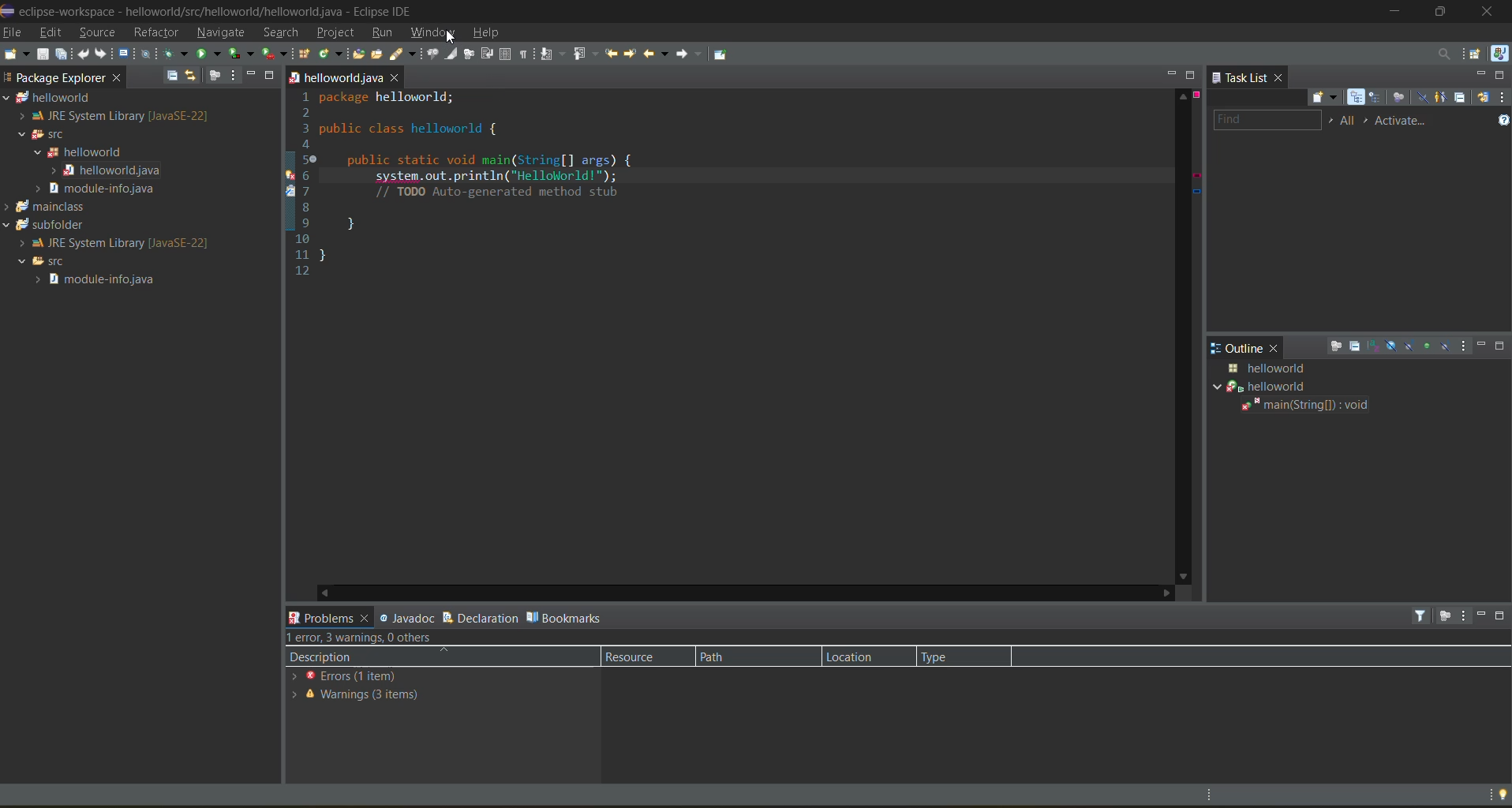 This screenshot has height=808, width=1512. What do you see at coordinates (1192, 75) in the screenshot?
I see `maximize` at bounding box center [1192, 75].